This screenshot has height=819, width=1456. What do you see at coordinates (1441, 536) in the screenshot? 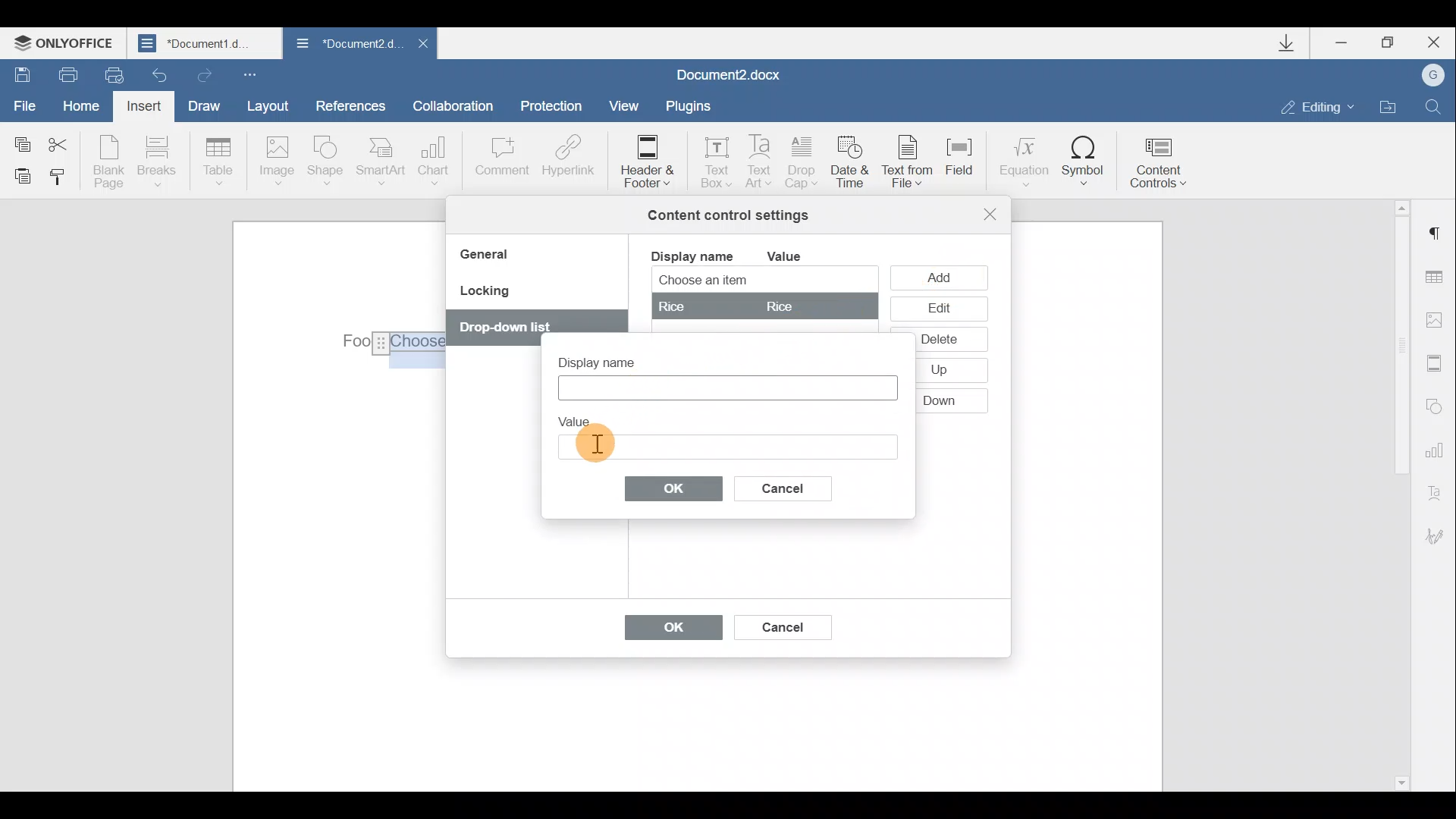
I see `Signature settings` at bounding box center [1441, 536].